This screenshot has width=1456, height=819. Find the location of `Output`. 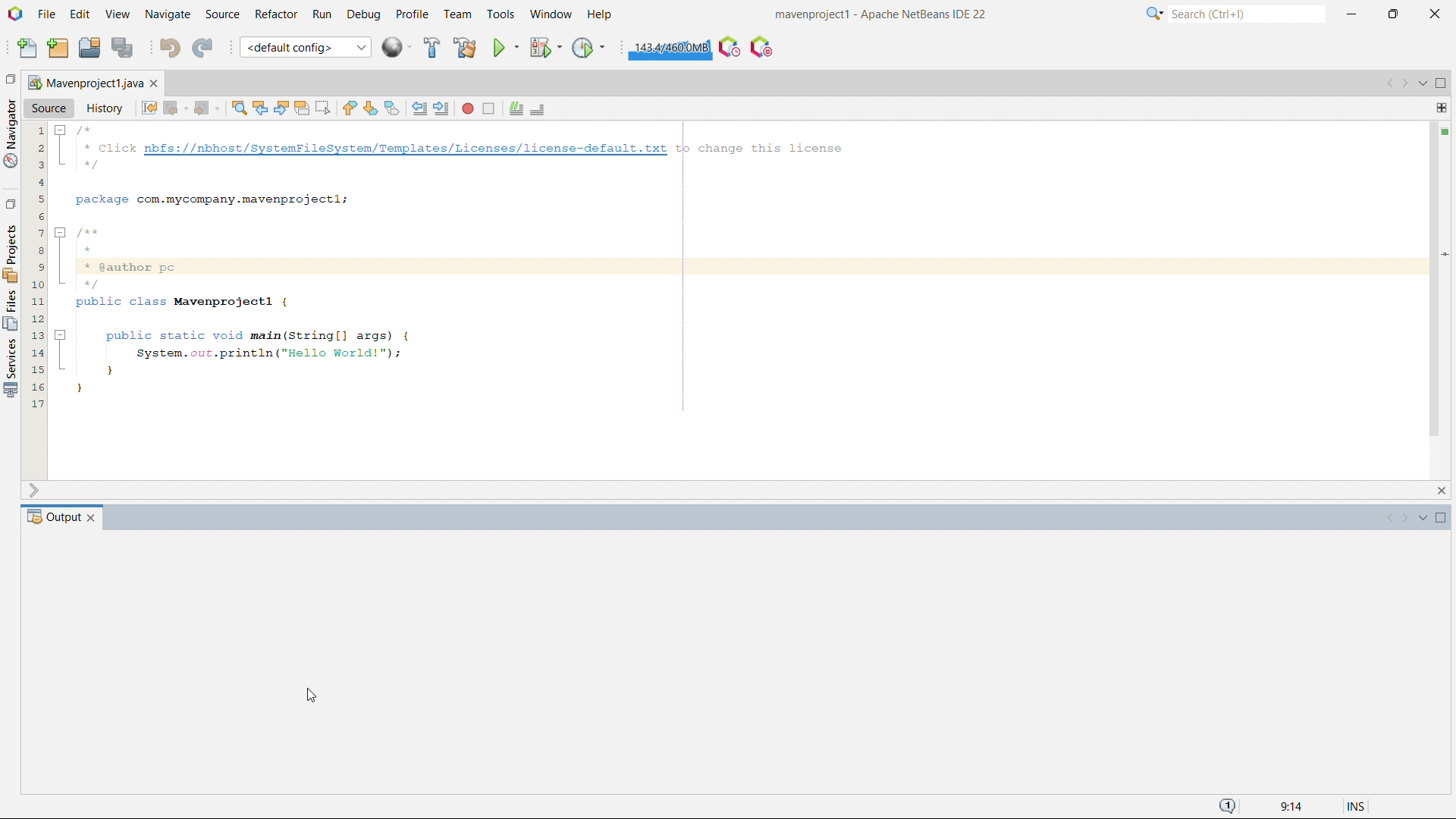

Output is located at coordinates (50, 517).